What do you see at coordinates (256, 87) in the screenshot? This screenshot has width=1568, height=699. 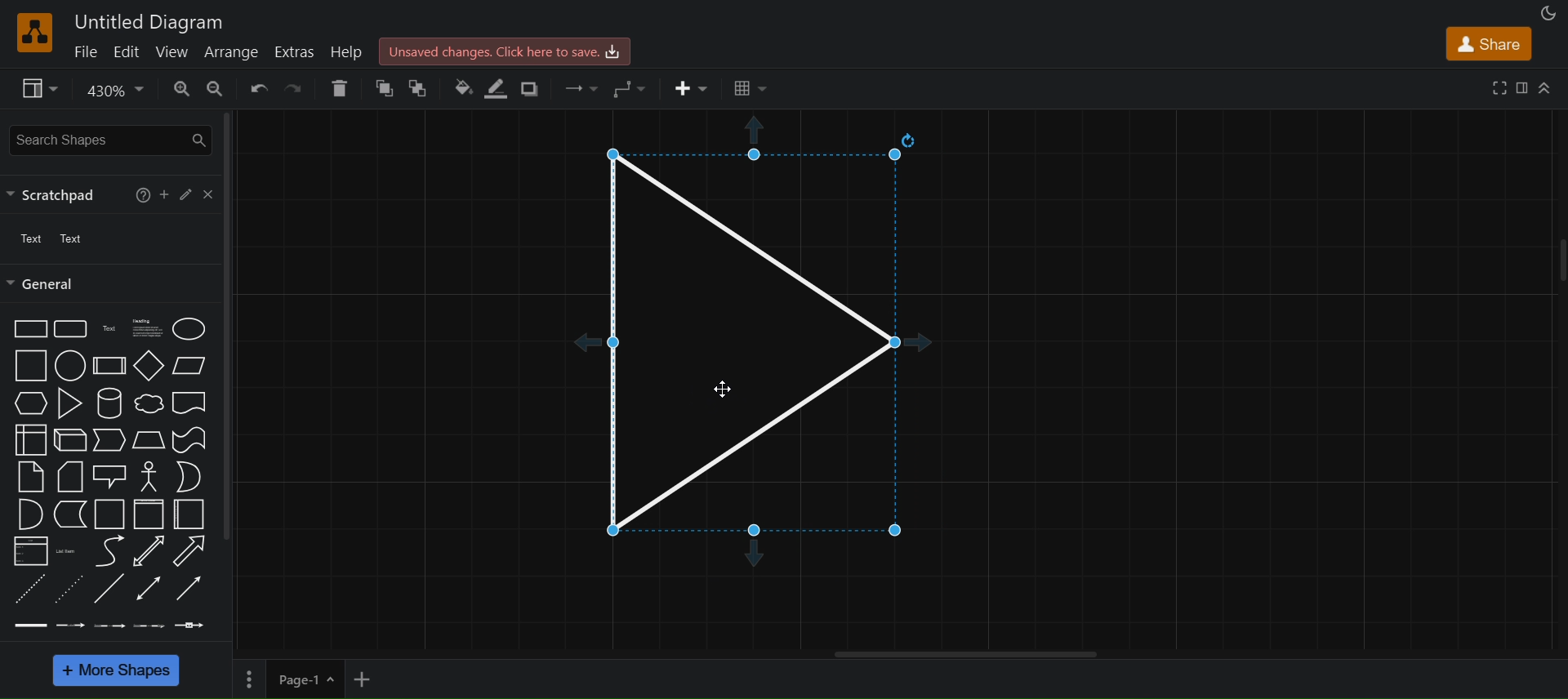 I see `undo` at bounding box center [256, 87].